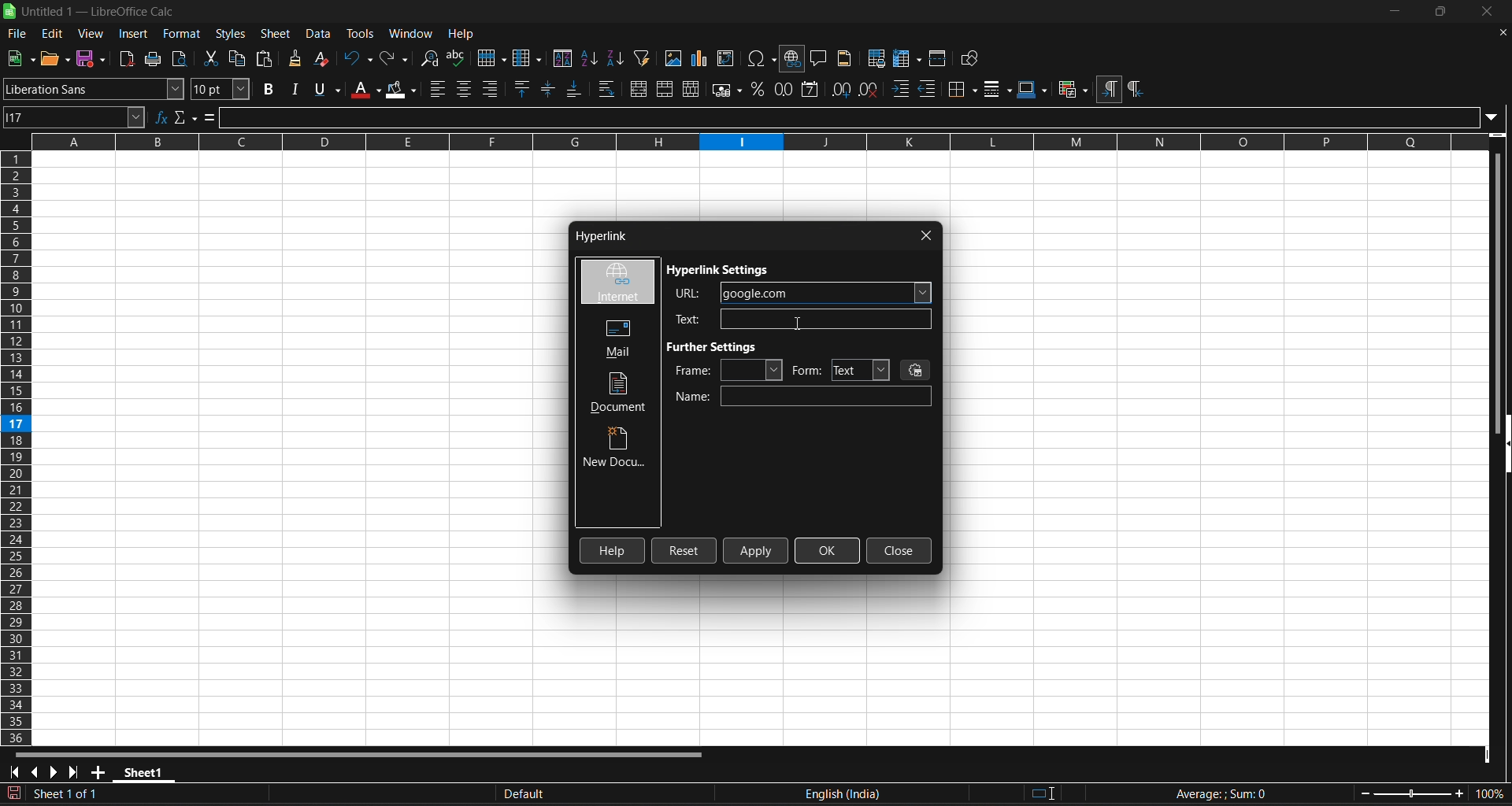  Describe the element at coordinates (321, 34) in the screenshot. I see `data` at that location.